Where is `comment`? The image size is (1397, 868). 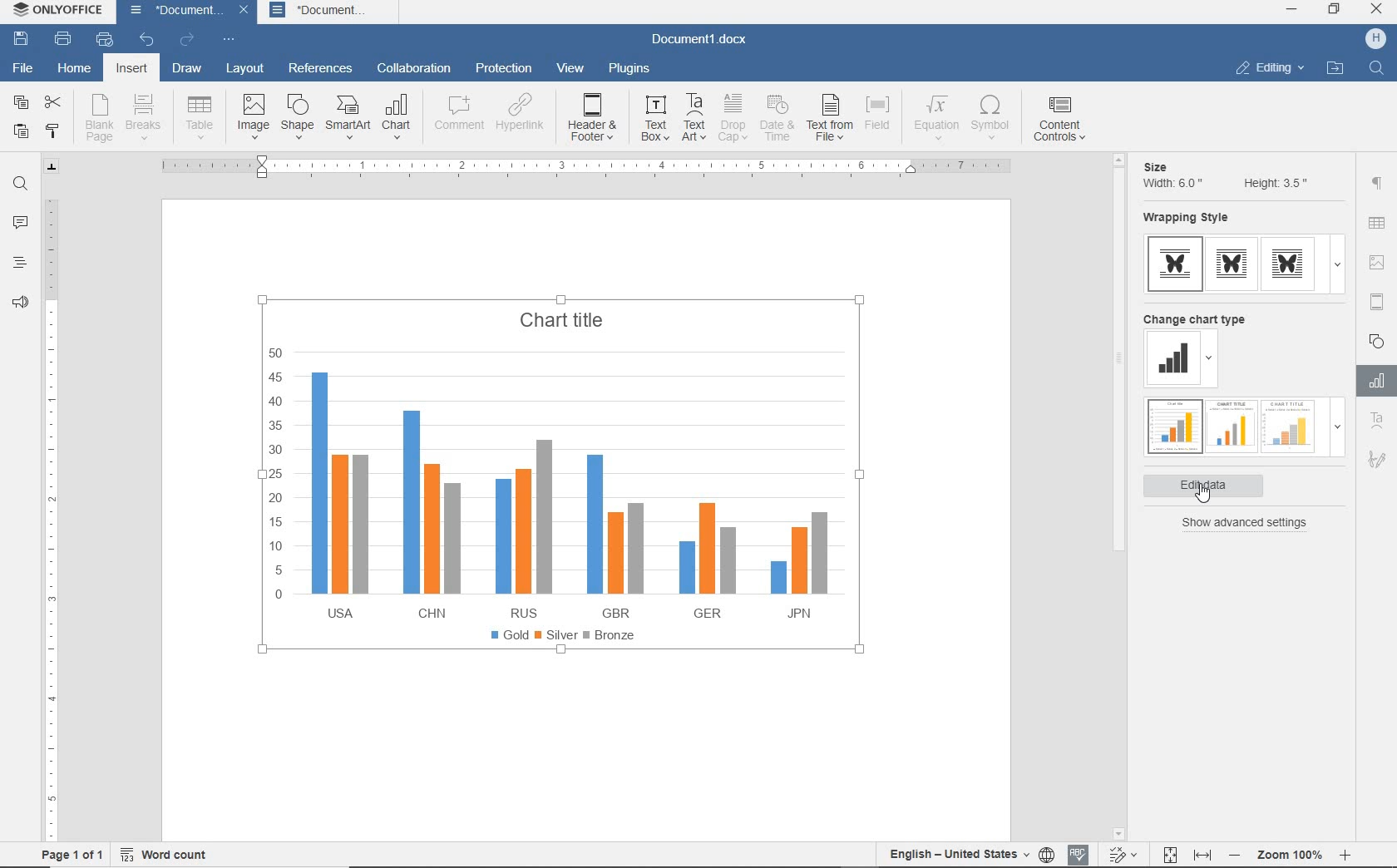 comment is located at coordinates (456, 116).